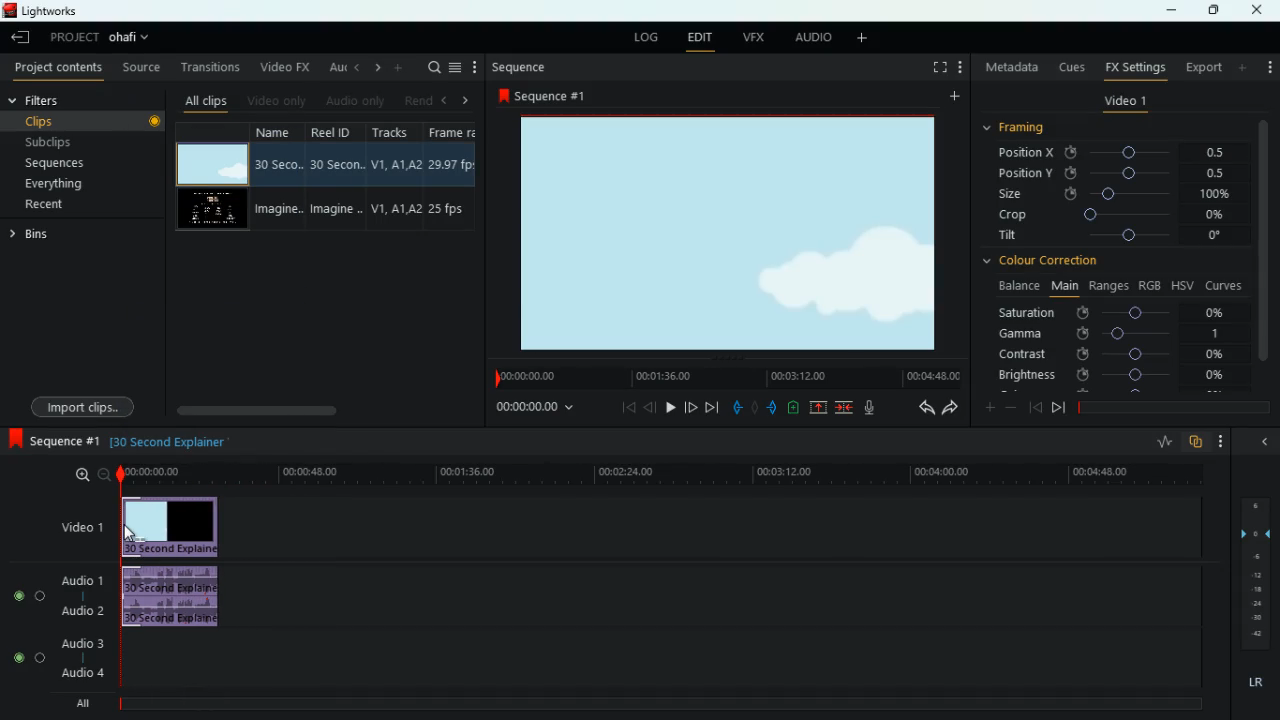 The image size is (1280, 720). Describe the element at coordinates (1112, 151) in the screenshot. I see `position x` at that location.